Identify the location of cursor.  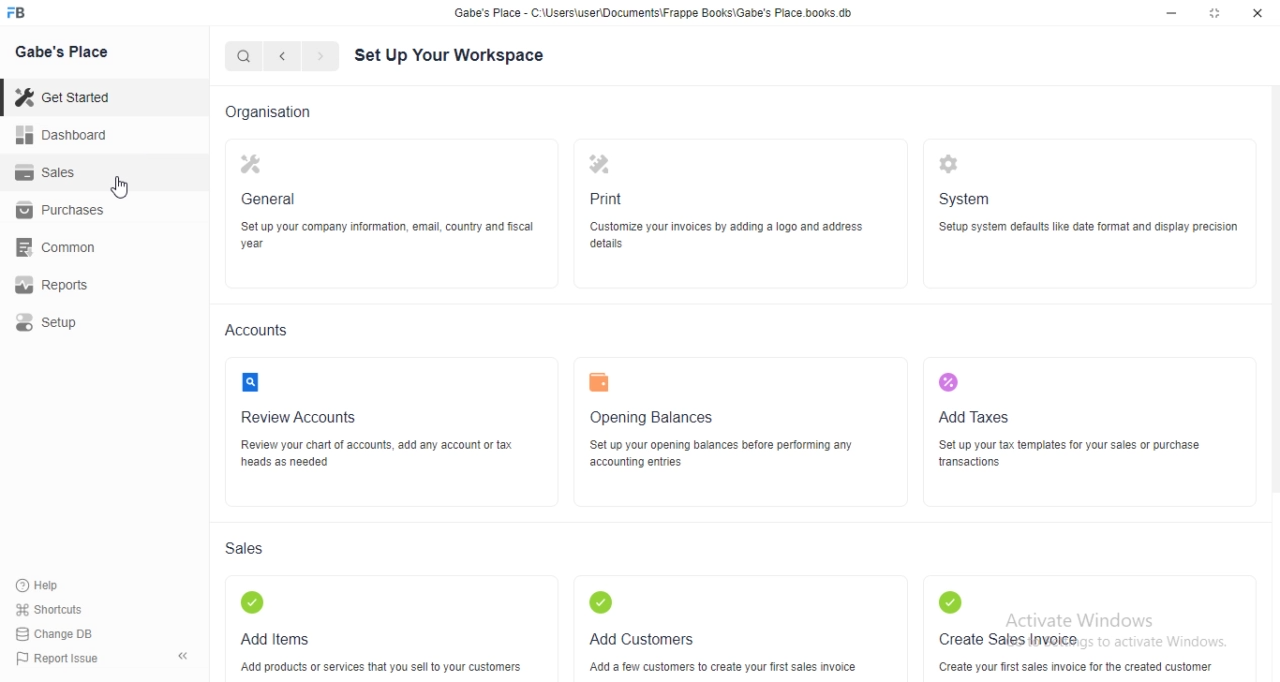
(120, 192).